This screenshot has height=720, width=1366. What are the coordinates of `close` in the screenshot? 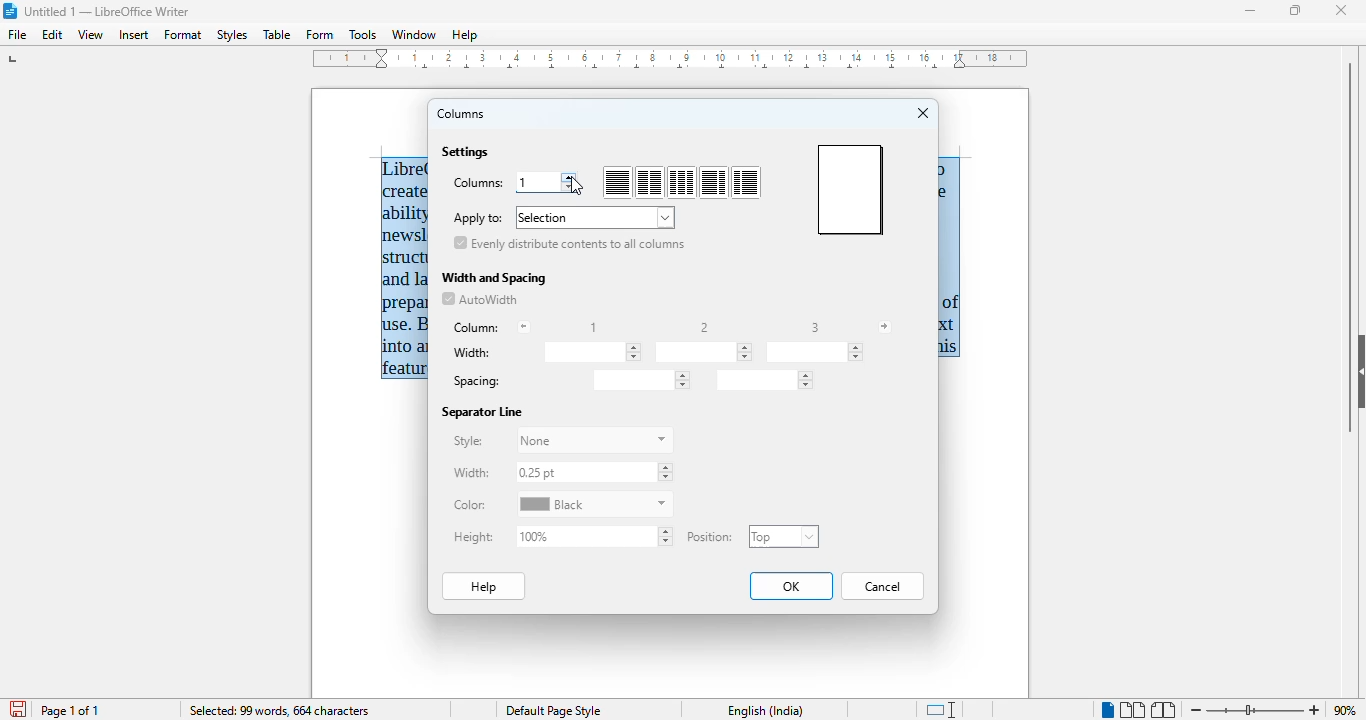 It's located at (924, 113).